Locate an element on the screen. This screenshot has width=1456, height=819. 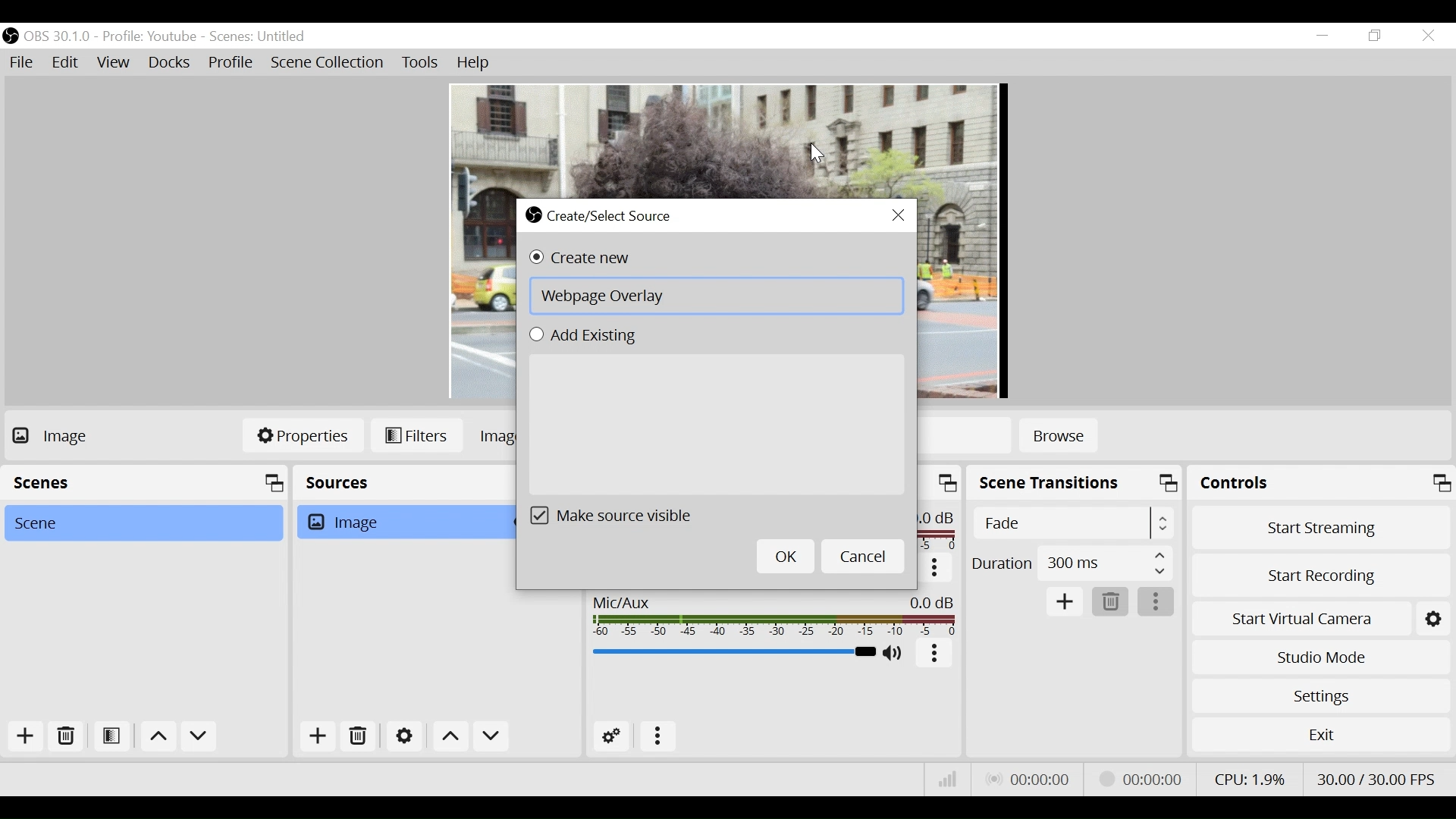
Advanced Audio Settings is located at coordinates (612, 737).